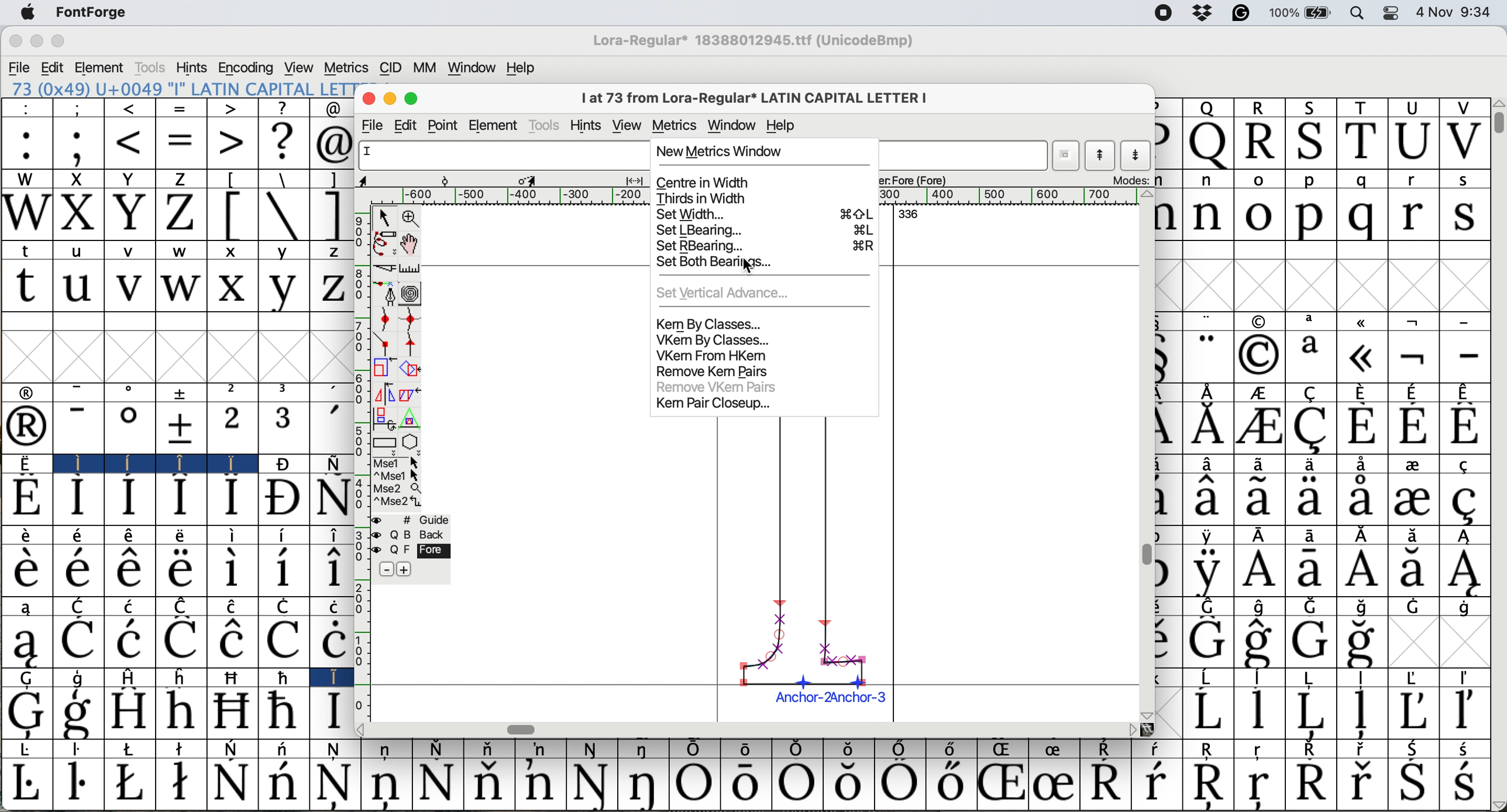  I want to click on tools, so click(149, 68).